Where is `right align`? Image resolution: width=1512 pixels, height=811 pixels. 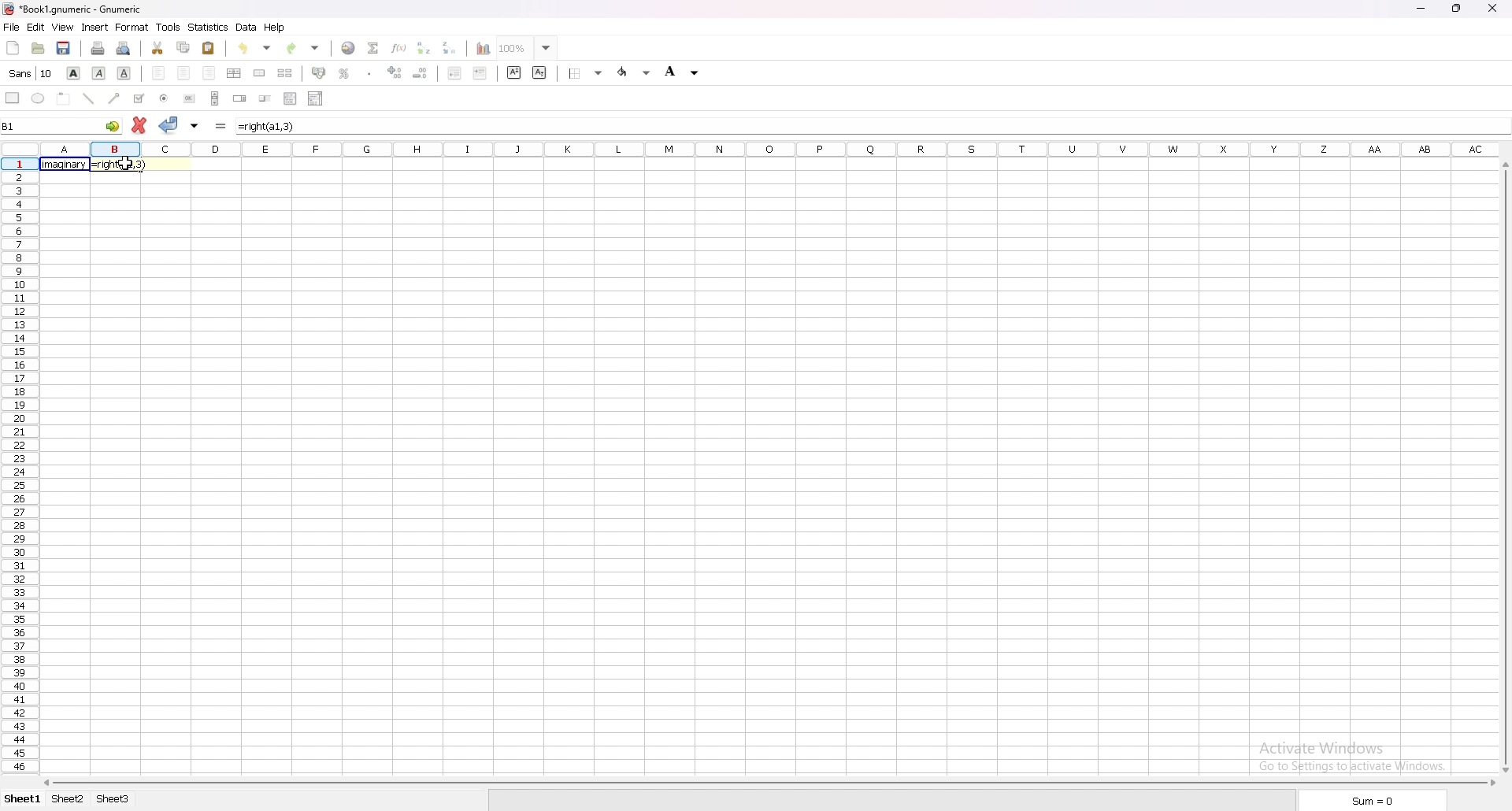
right align is located at coordinates (209, 72).